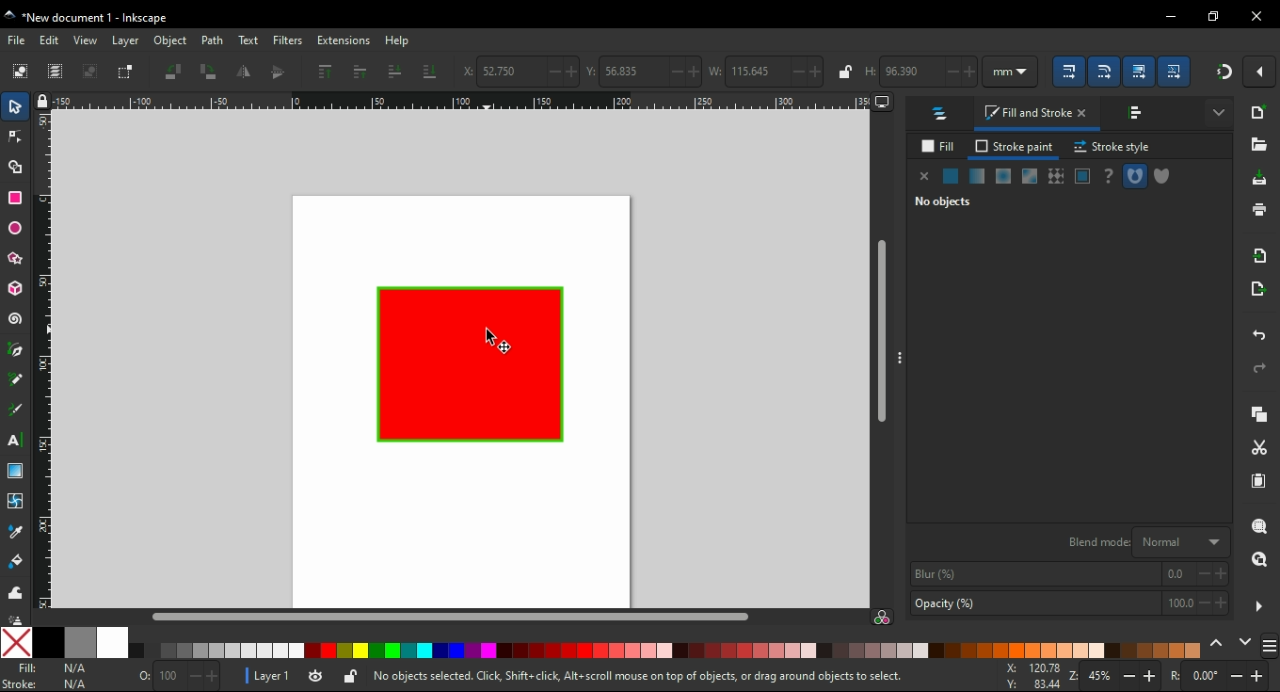 Image resolution: width=1280 pixels, height=692 pixels. What do you see at coordinates (15, 106) in the screenshot?
I see `select` at bounding box center [15, 106].